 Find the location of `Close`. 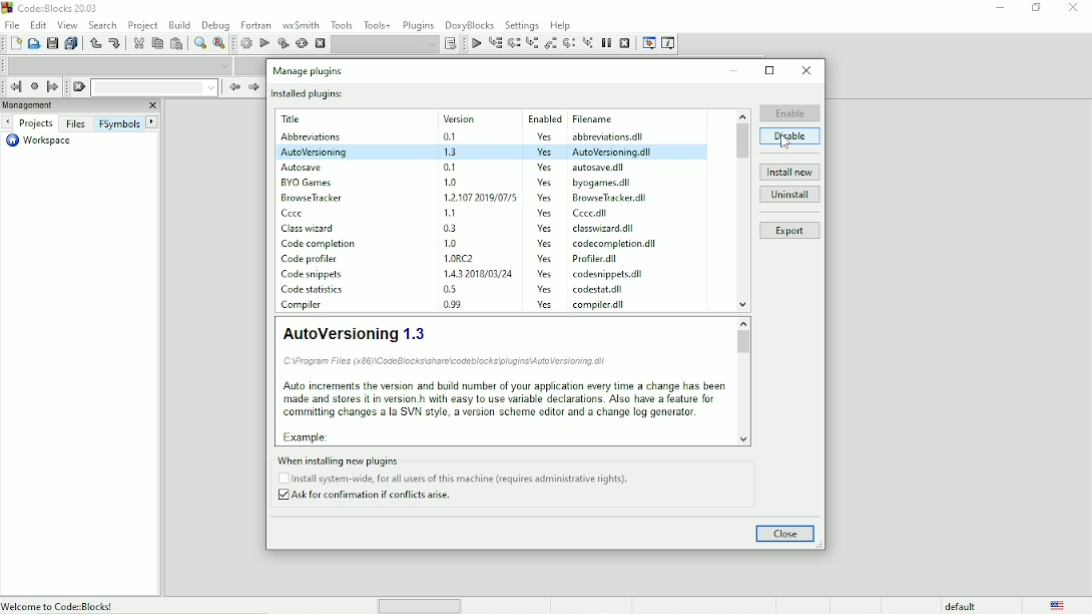

Close is located at coordinates (785, 534).